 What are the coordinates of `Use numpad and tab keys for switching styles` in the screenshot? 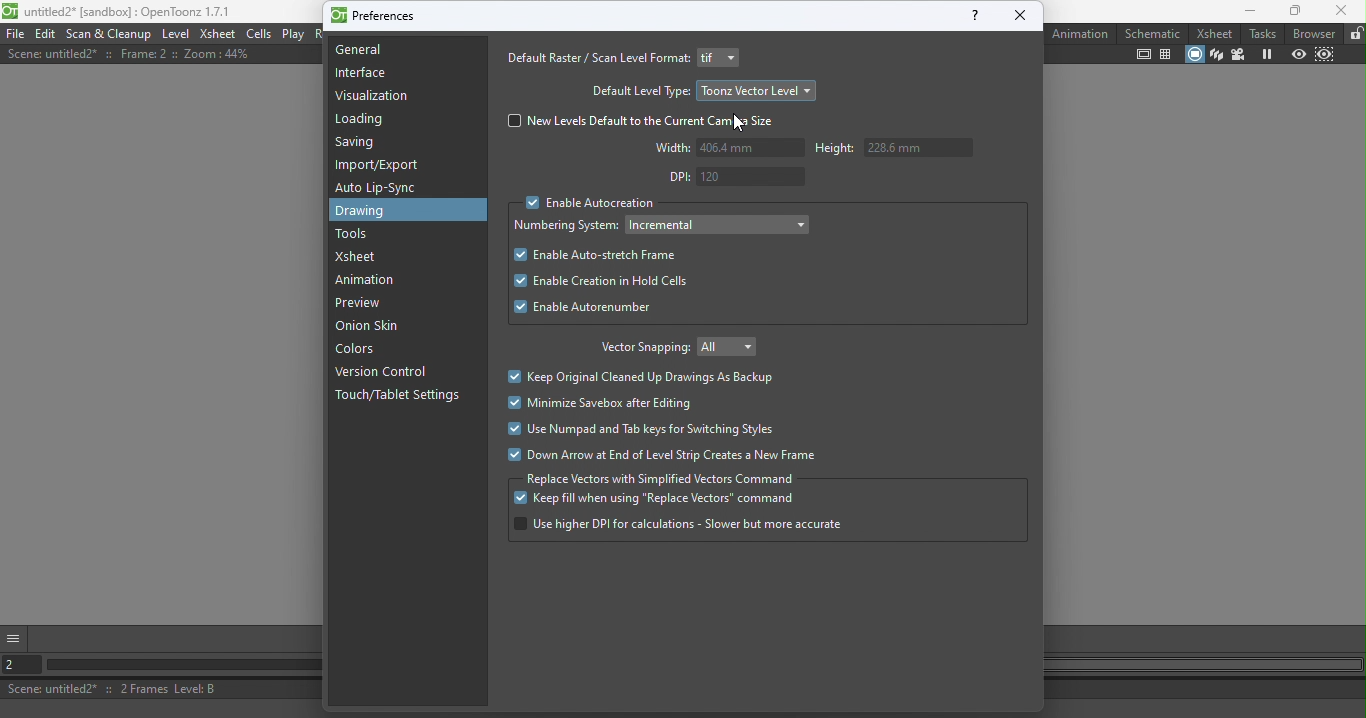 It's located at (641, 431).